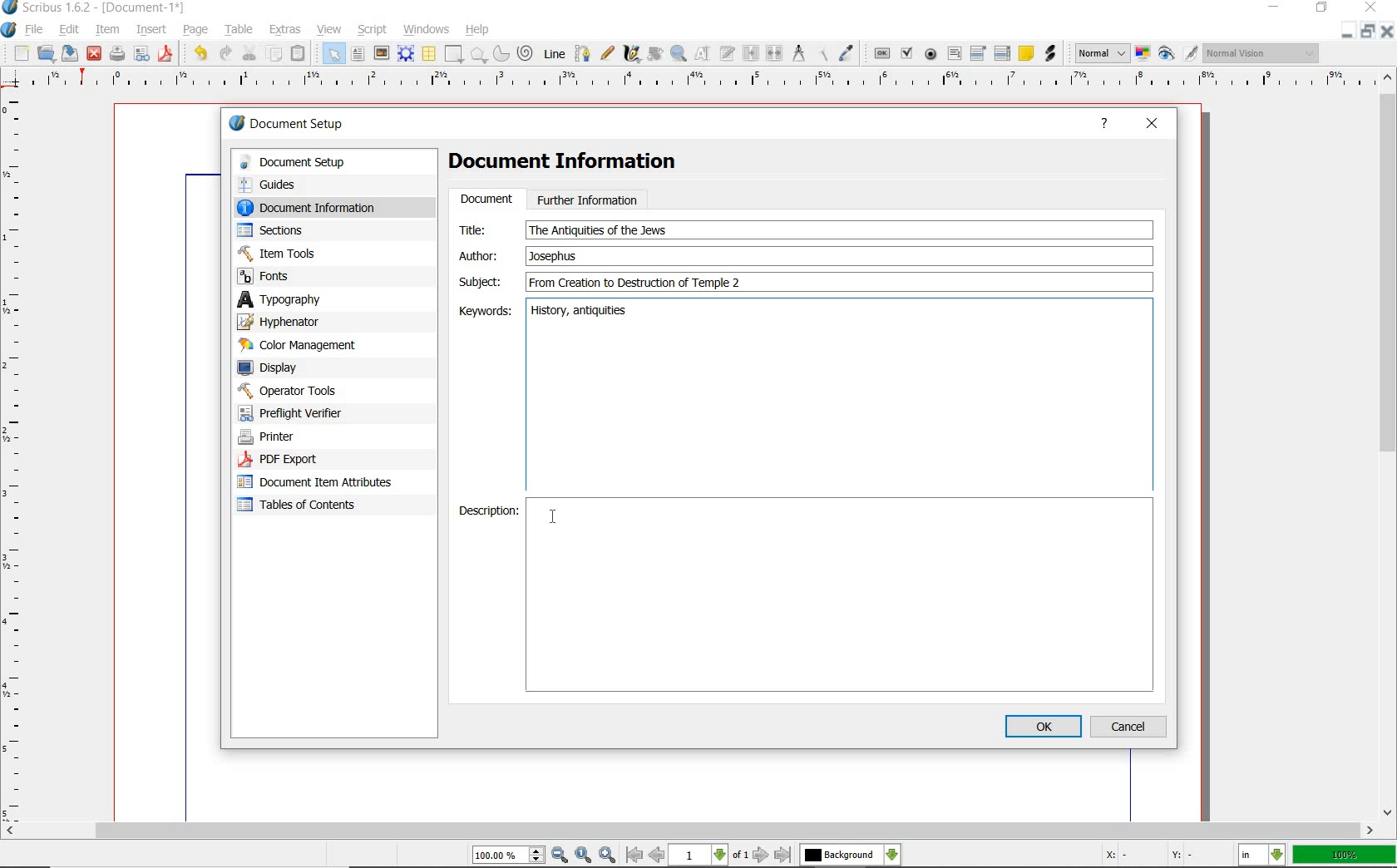 The image size is (1397, 868). I want to click on scrollbar, so click(1389, 446).